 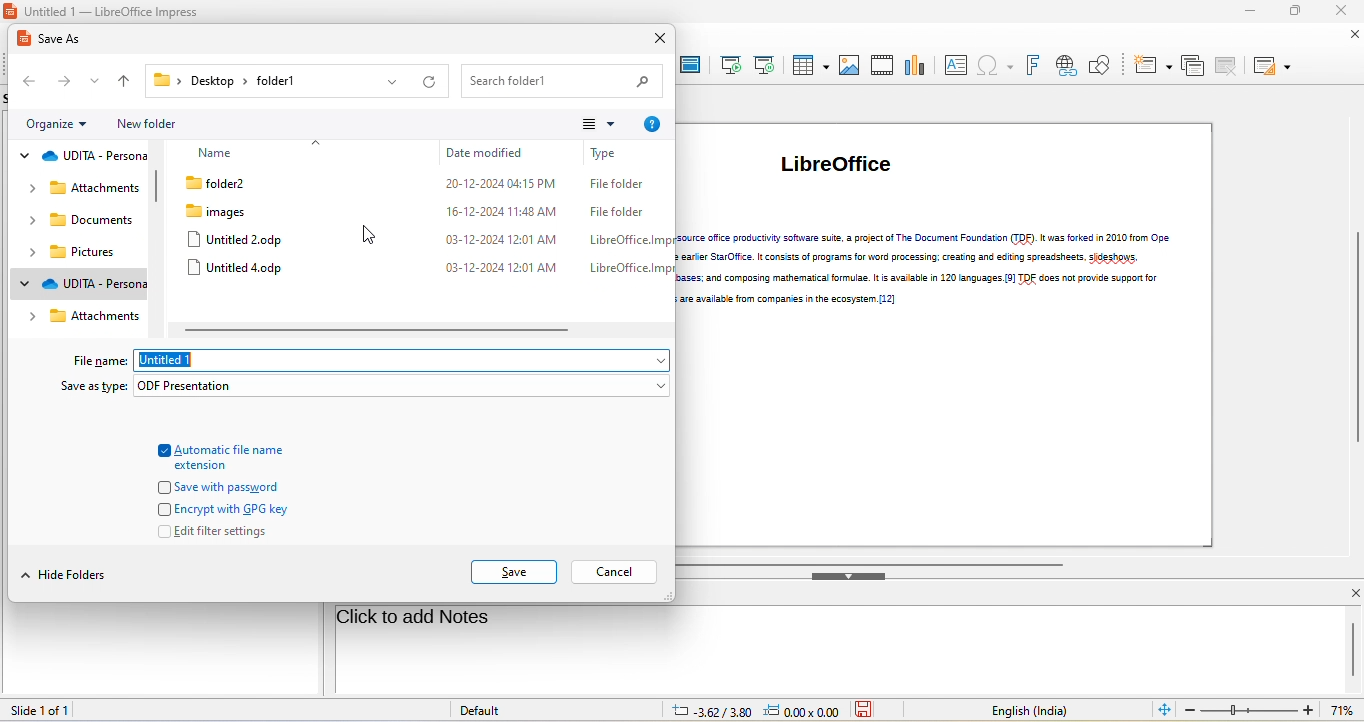 What do you see at coordinates (239, 239) in the screenshot?
I see `untitled 2 odp` at bounding box center [239, 239].